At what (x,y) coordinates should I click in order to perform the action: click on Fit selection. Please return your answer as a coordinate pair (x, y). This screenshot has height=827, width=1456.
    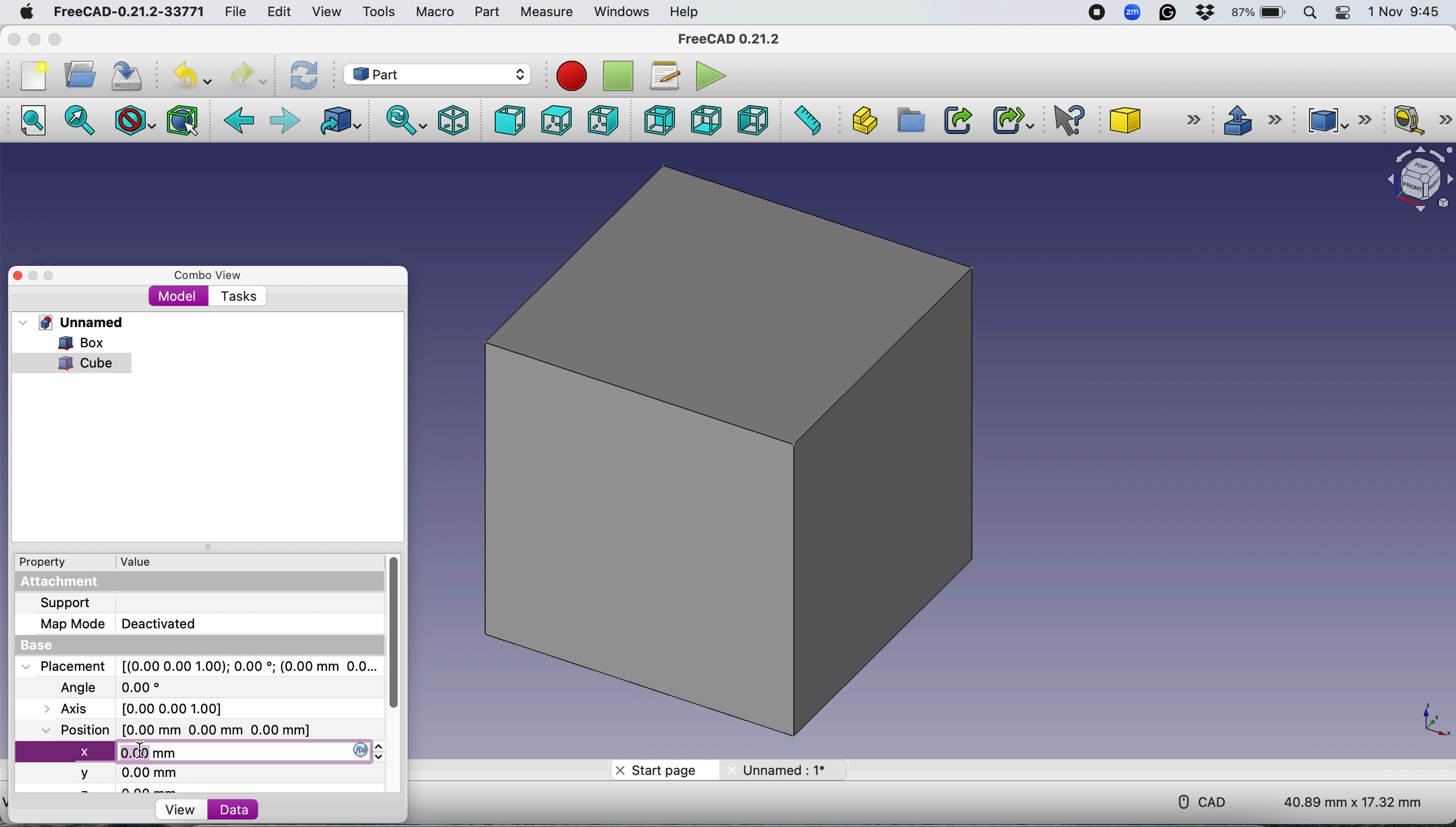
    Looking at the image, I should click on (81, 122).